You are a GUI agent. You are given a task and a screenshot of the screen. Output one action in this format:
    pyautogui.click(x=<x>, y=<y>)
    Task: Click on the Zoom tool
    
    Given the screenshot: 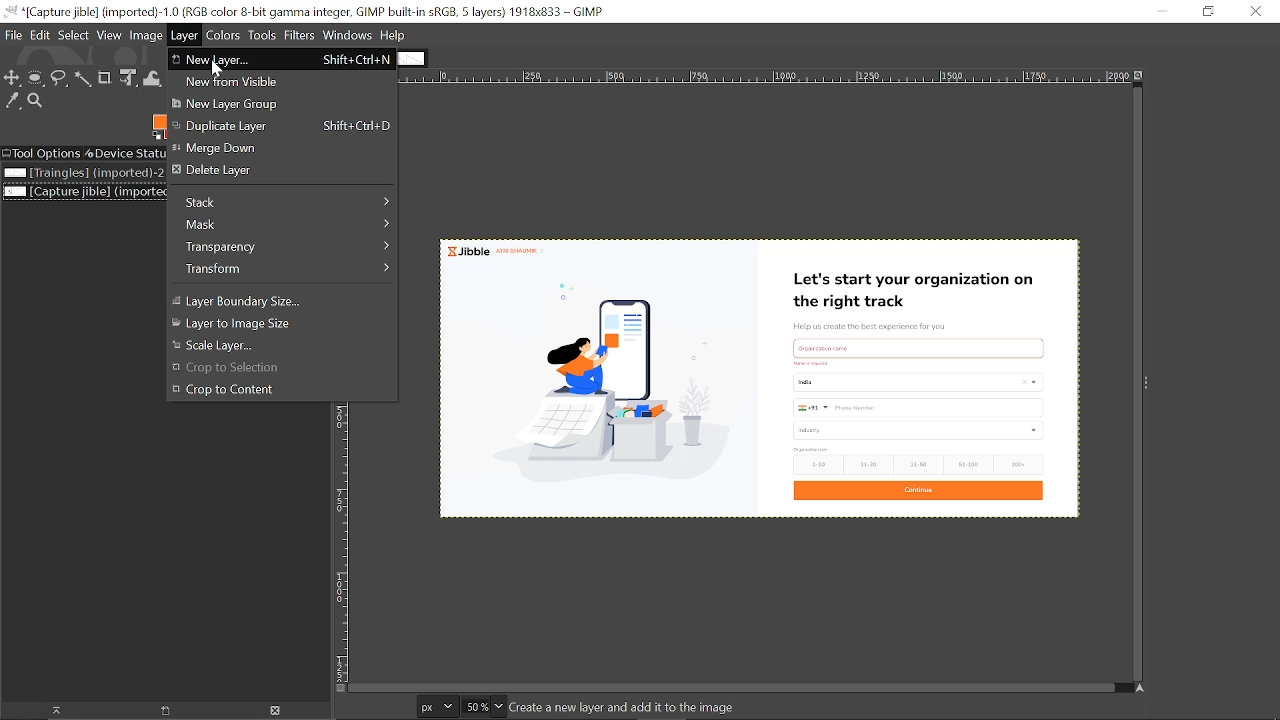 What is the action you would take?
    pyautogui.click(x=39, y=102)
    